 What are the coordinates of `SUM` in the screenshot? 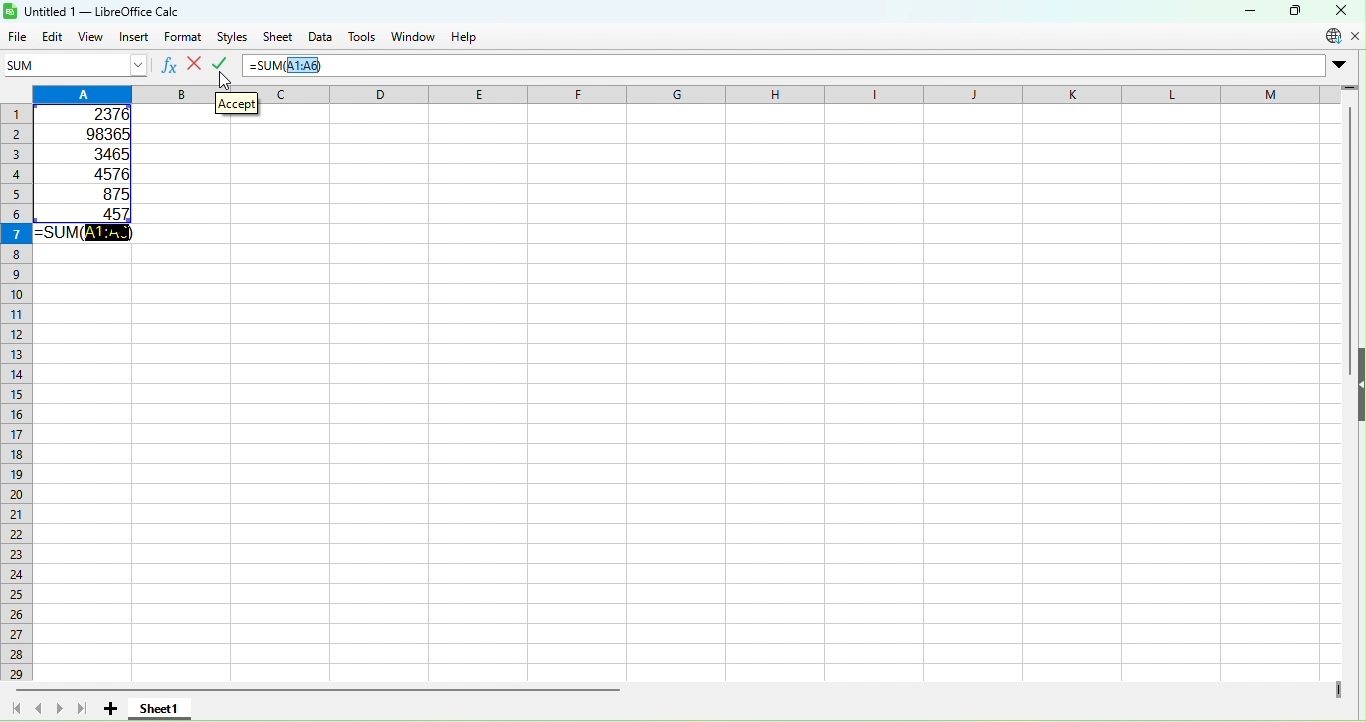 It's located at (41, 63).